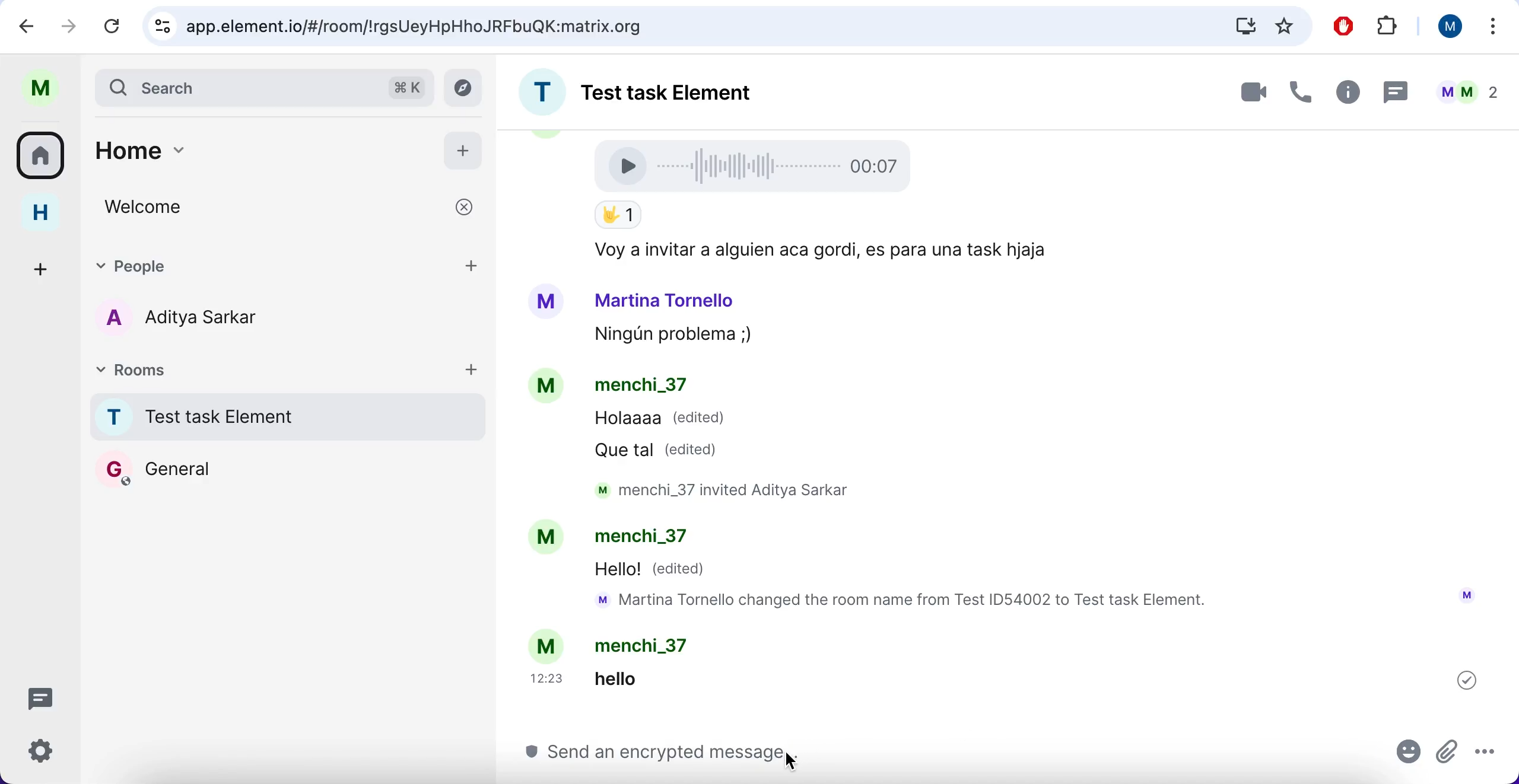 This screenshot has height=784, width=1519. I want to click on users , so click(198, 320).